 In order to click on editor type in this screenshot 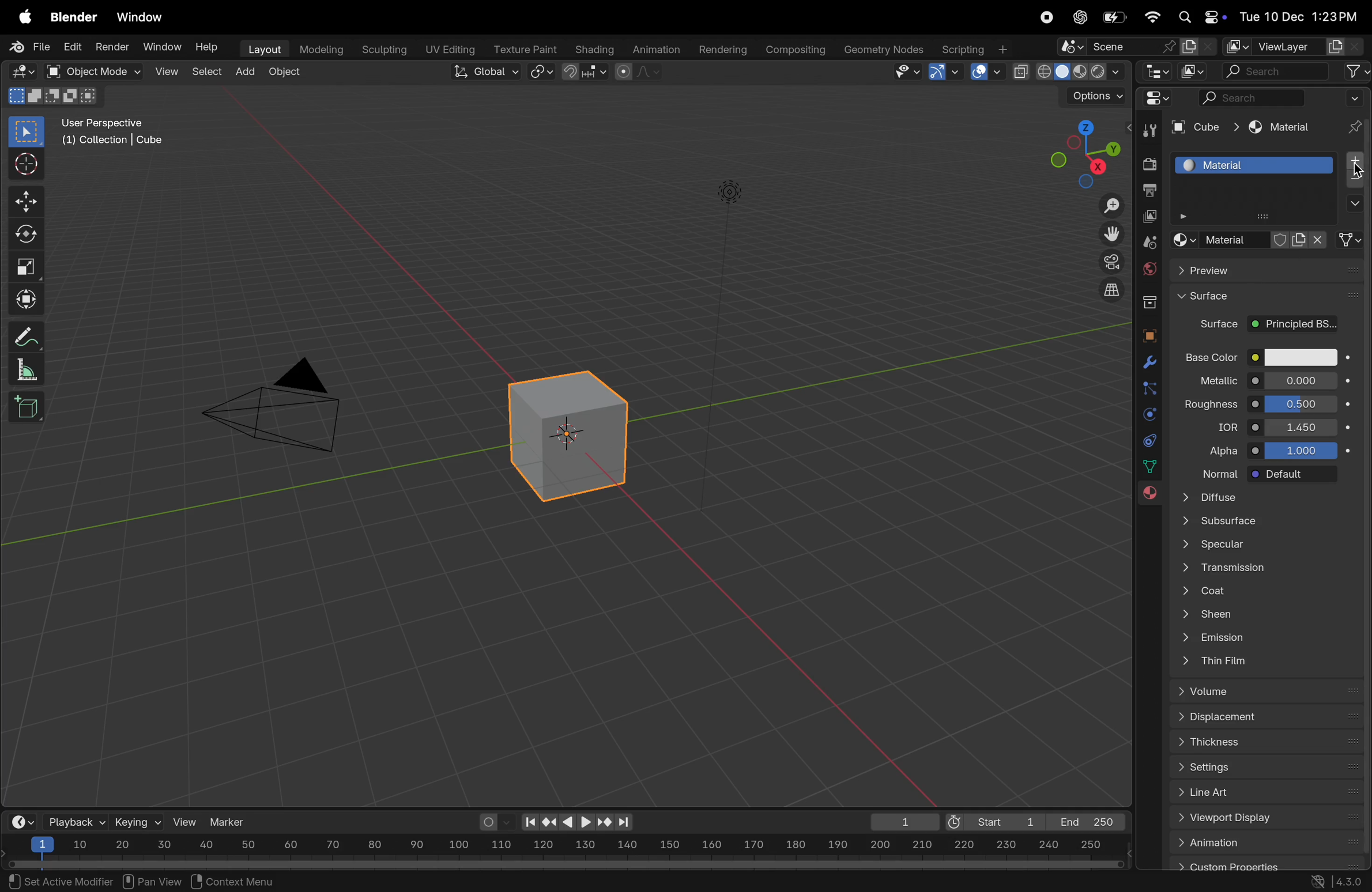, I will do `click(18, 70)`.